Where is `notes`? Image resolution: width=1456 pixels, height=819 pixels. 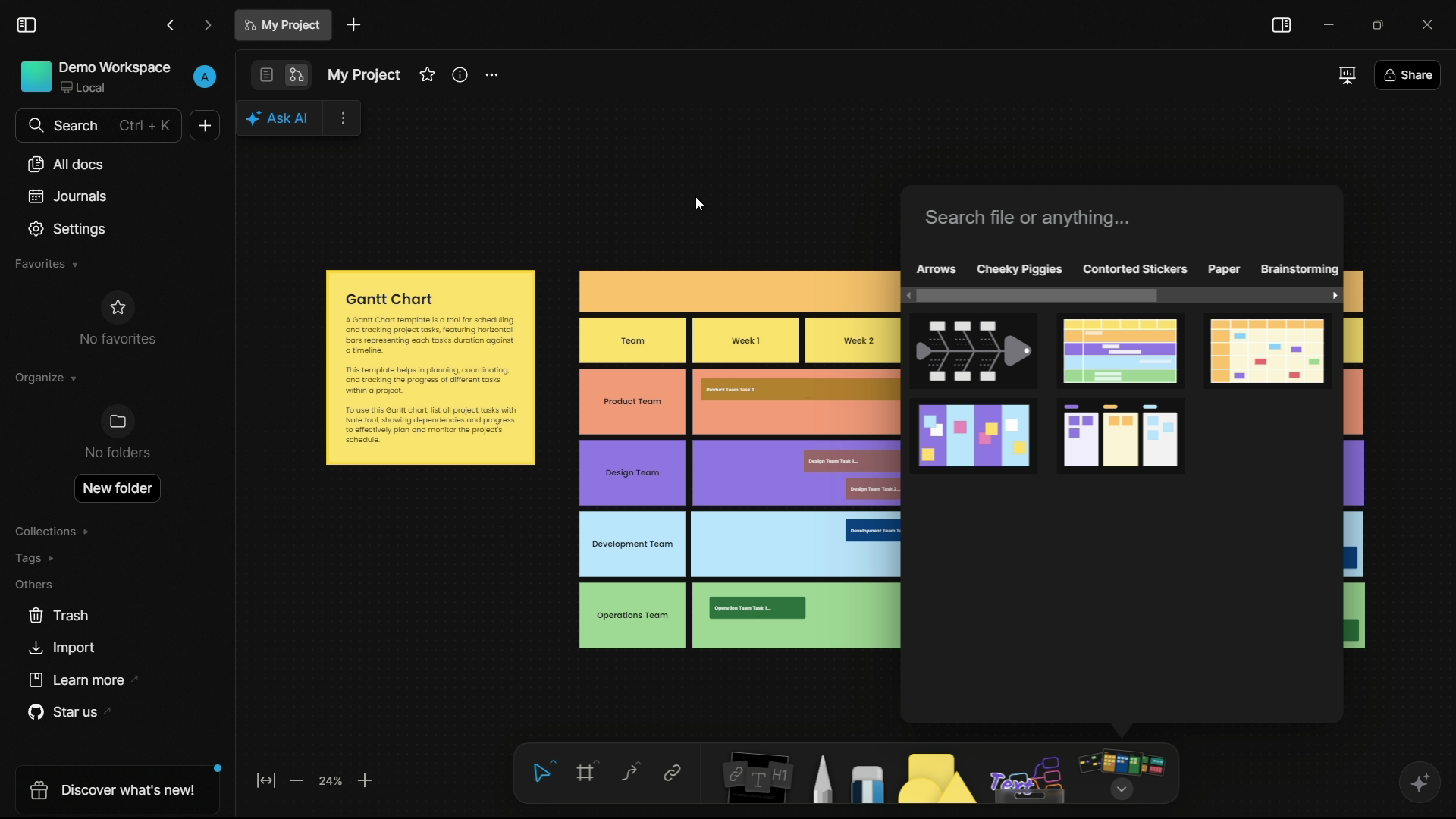 notes is located at coordinates (753, 780).